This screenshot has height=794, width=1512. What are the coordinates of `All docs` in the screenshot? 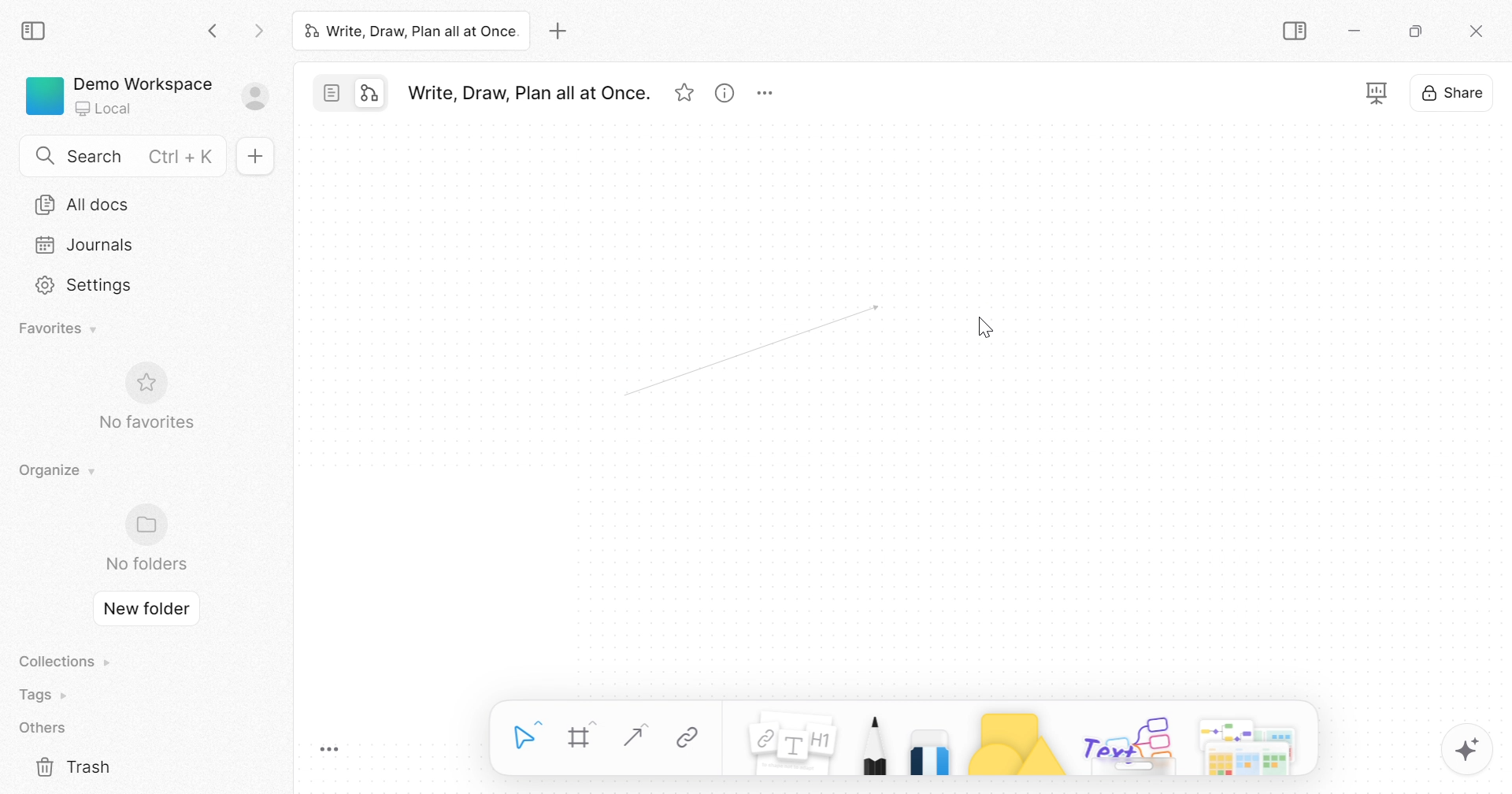 It's located at (88, 203).